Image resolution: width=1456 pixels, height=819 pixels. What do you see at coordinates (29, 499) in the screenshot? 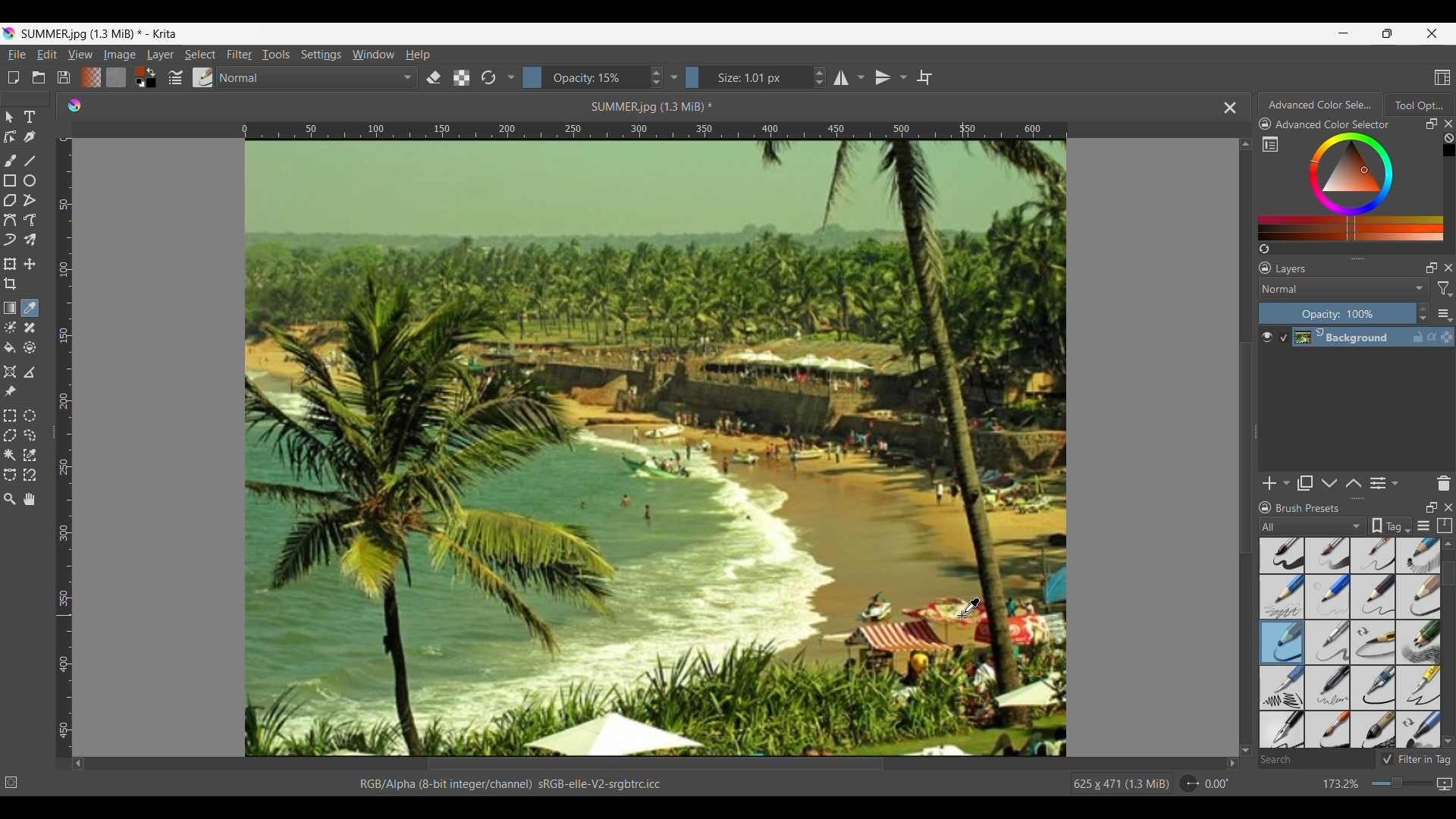
I see `Pan tool` at bounding box center [29, 499].